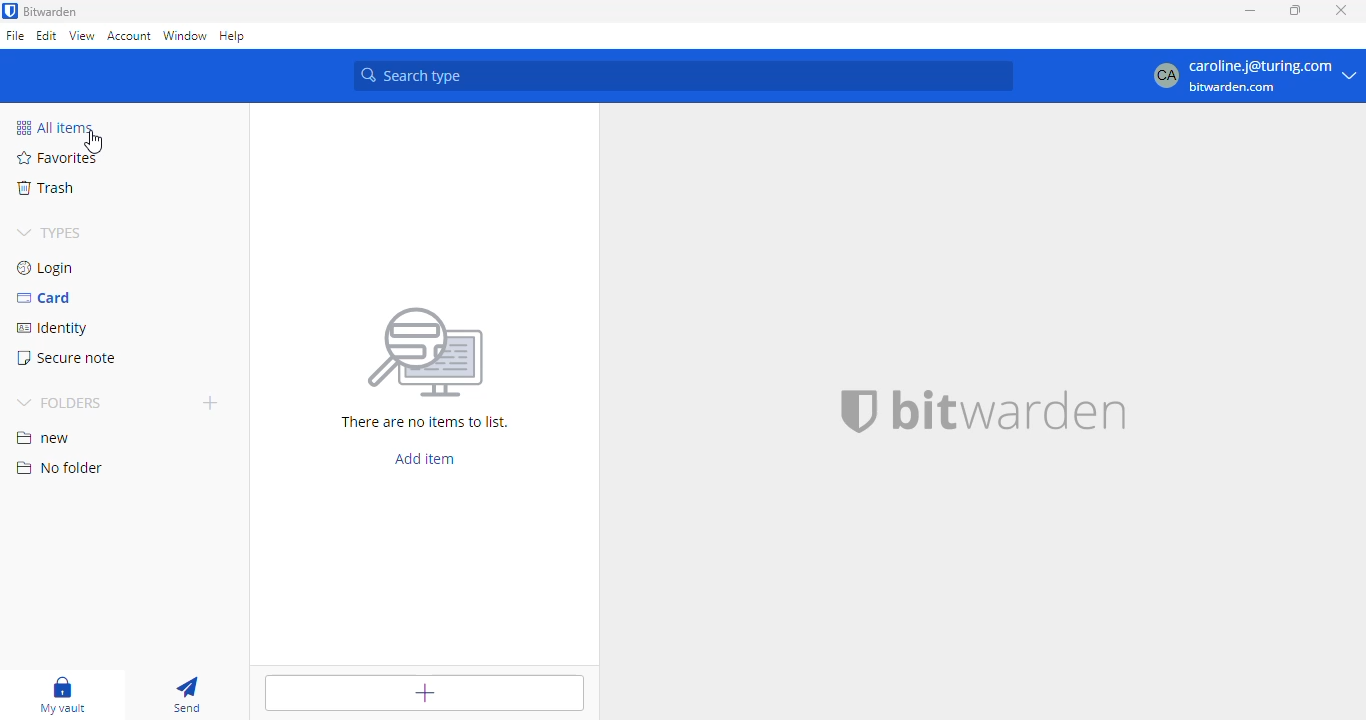 The image size is (1366, 720). I want to click on edit, so click(46, 36).